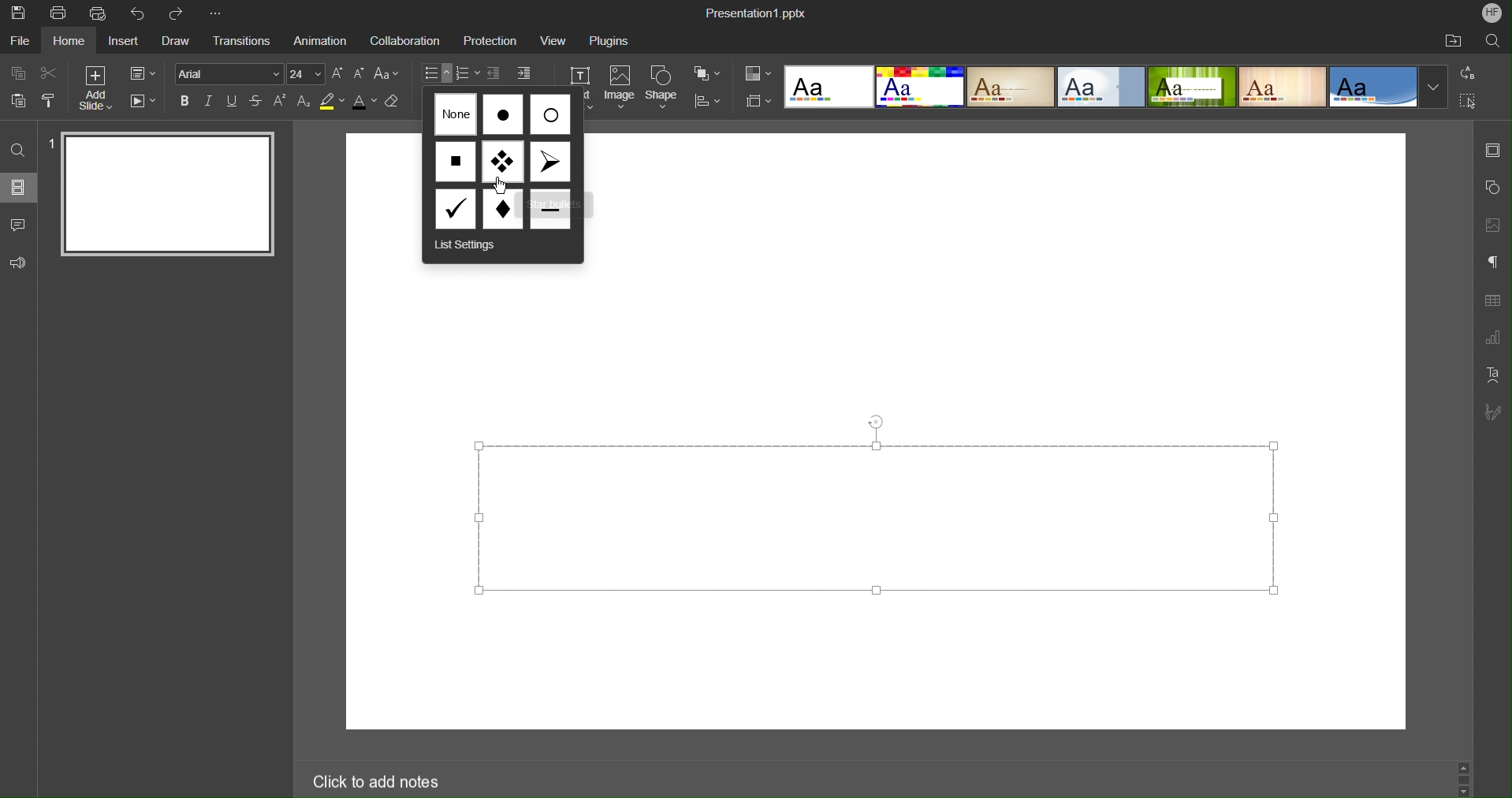 This screenshot has height=798, width=1512. I want to click on Protection, so click(486, 41).